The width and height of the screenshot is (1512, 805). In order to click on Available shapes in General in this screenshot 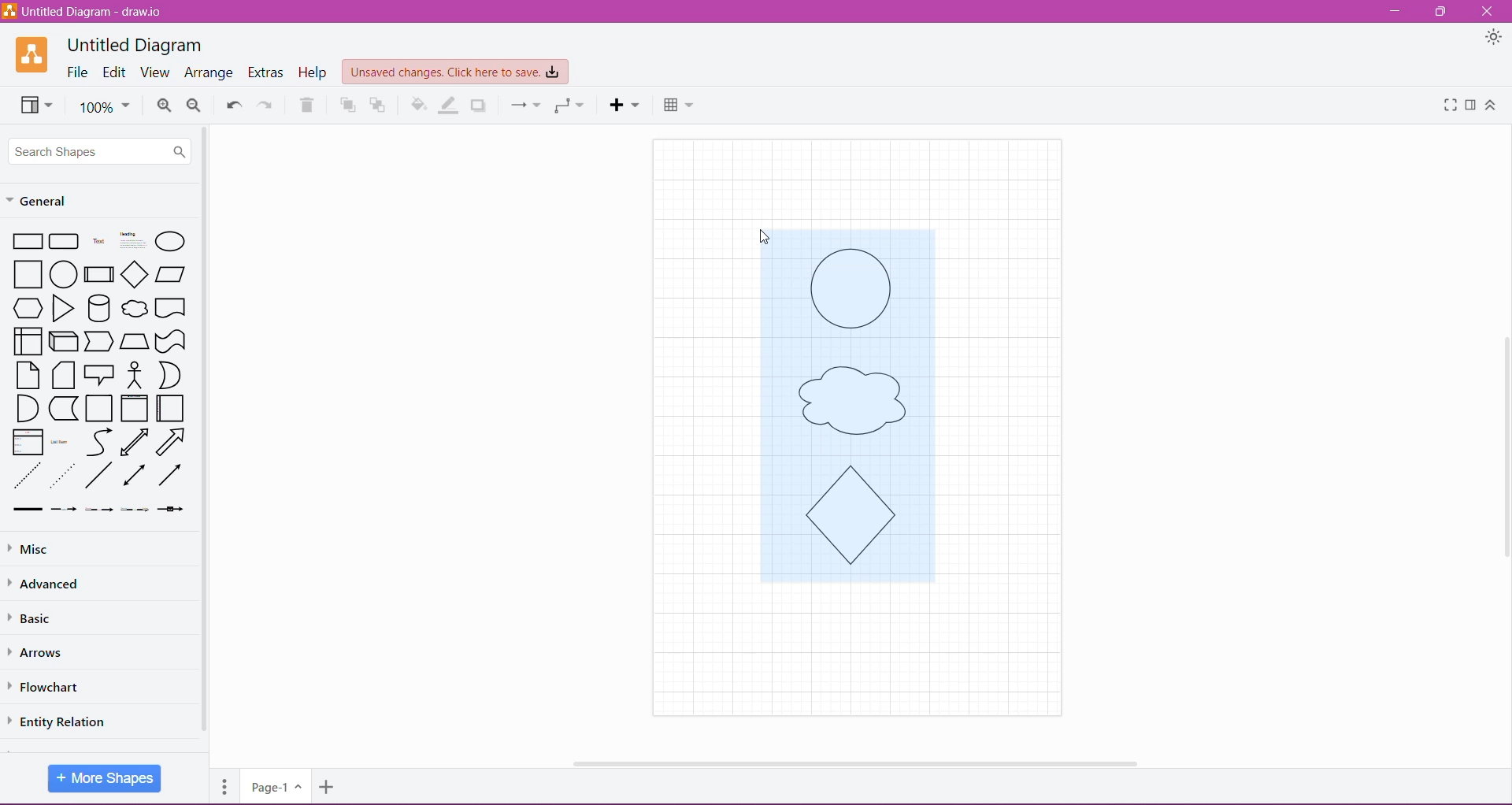, I will do `click(98, 373)`.